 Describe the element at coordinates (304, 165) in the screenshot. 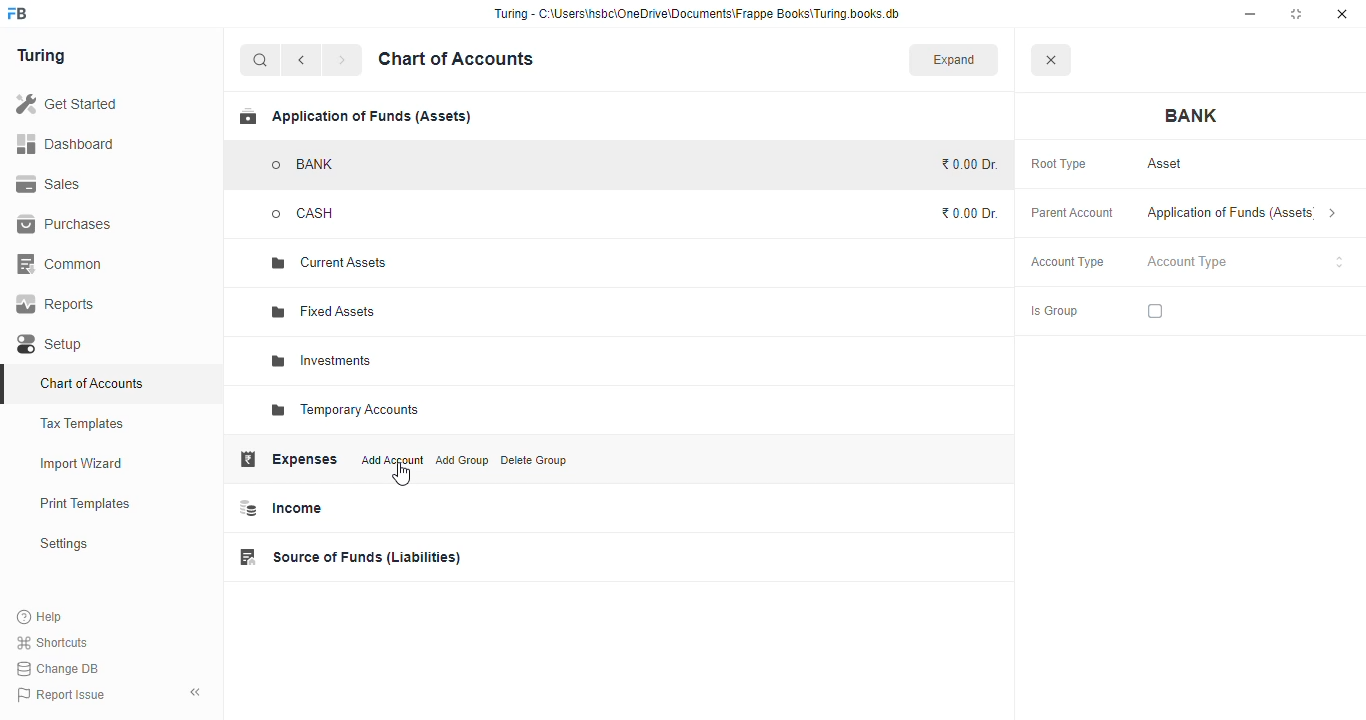

I see `BANK ` at that location.